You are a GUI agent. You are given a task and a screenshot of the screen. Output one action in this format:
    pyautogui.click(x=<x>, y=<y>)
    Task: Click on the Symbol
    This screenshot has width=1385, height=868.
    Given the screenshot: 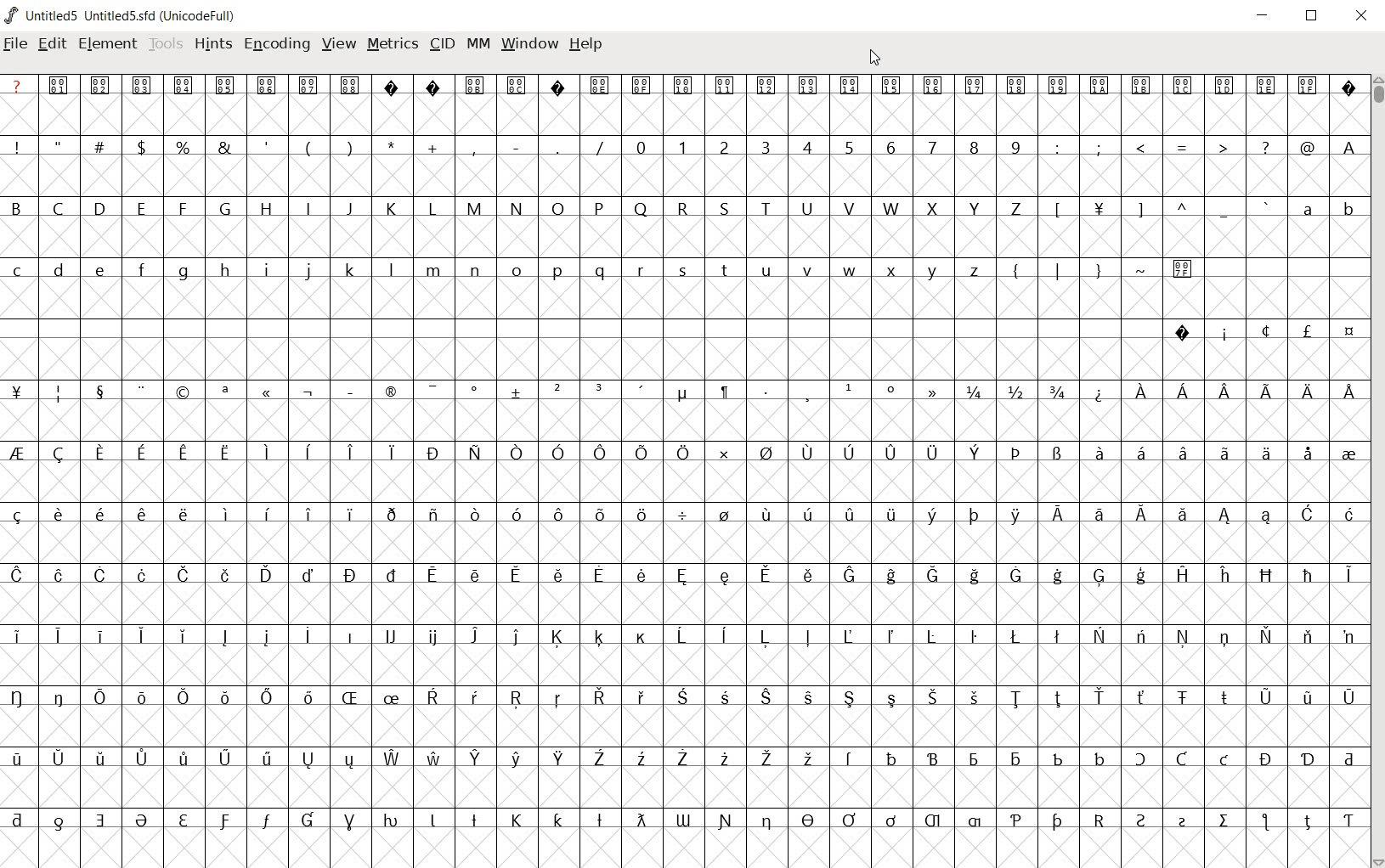 What is the action you would take?
    pyautogui.click(x=1184, y=268)
    